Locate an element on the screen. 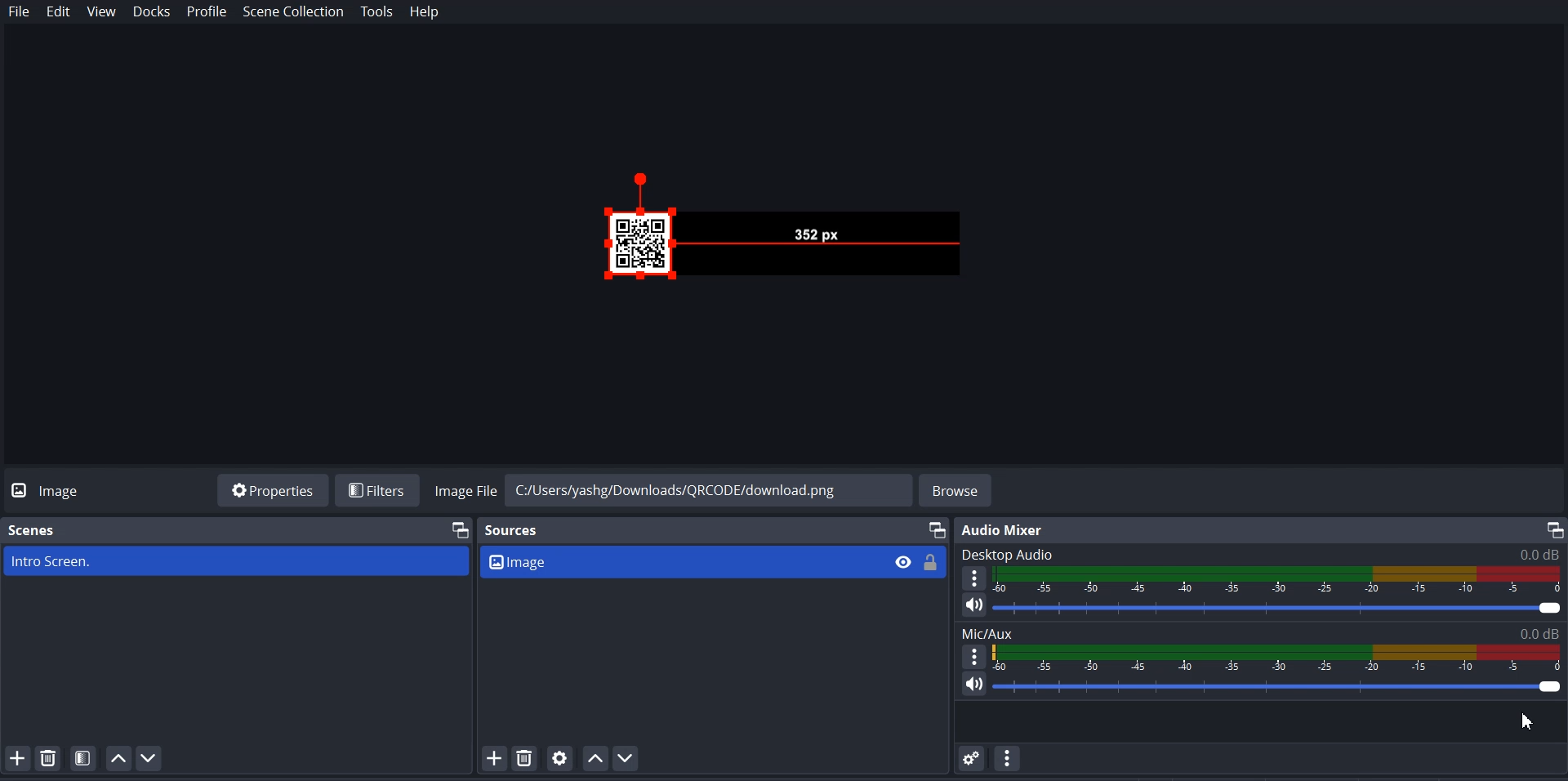 Image resolution: width=1568 pixels, height=781 pixels. Move Source up is located at coordinates (594, 757).